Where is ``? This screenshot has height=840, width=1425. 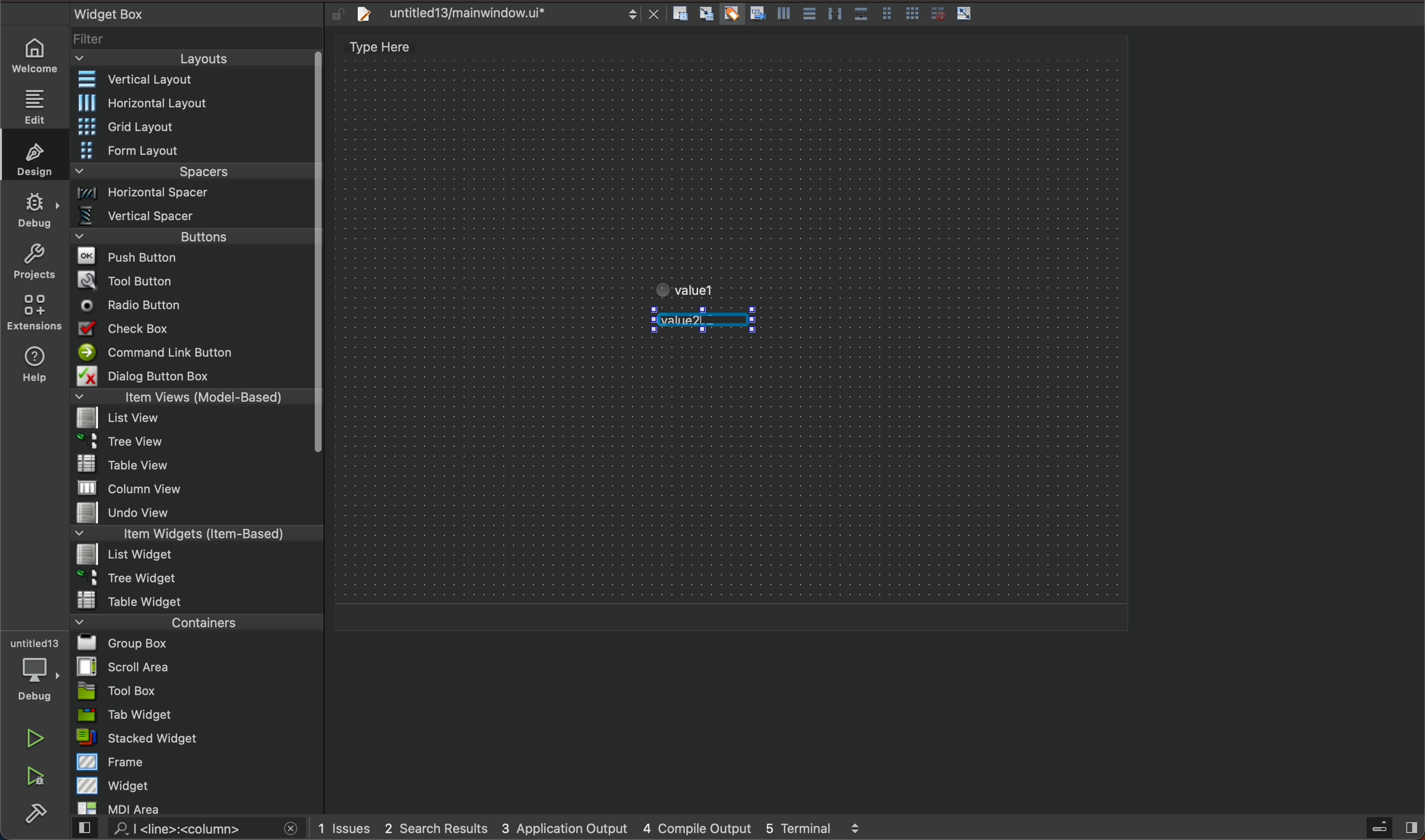
 is located at coordinates (194, 240).